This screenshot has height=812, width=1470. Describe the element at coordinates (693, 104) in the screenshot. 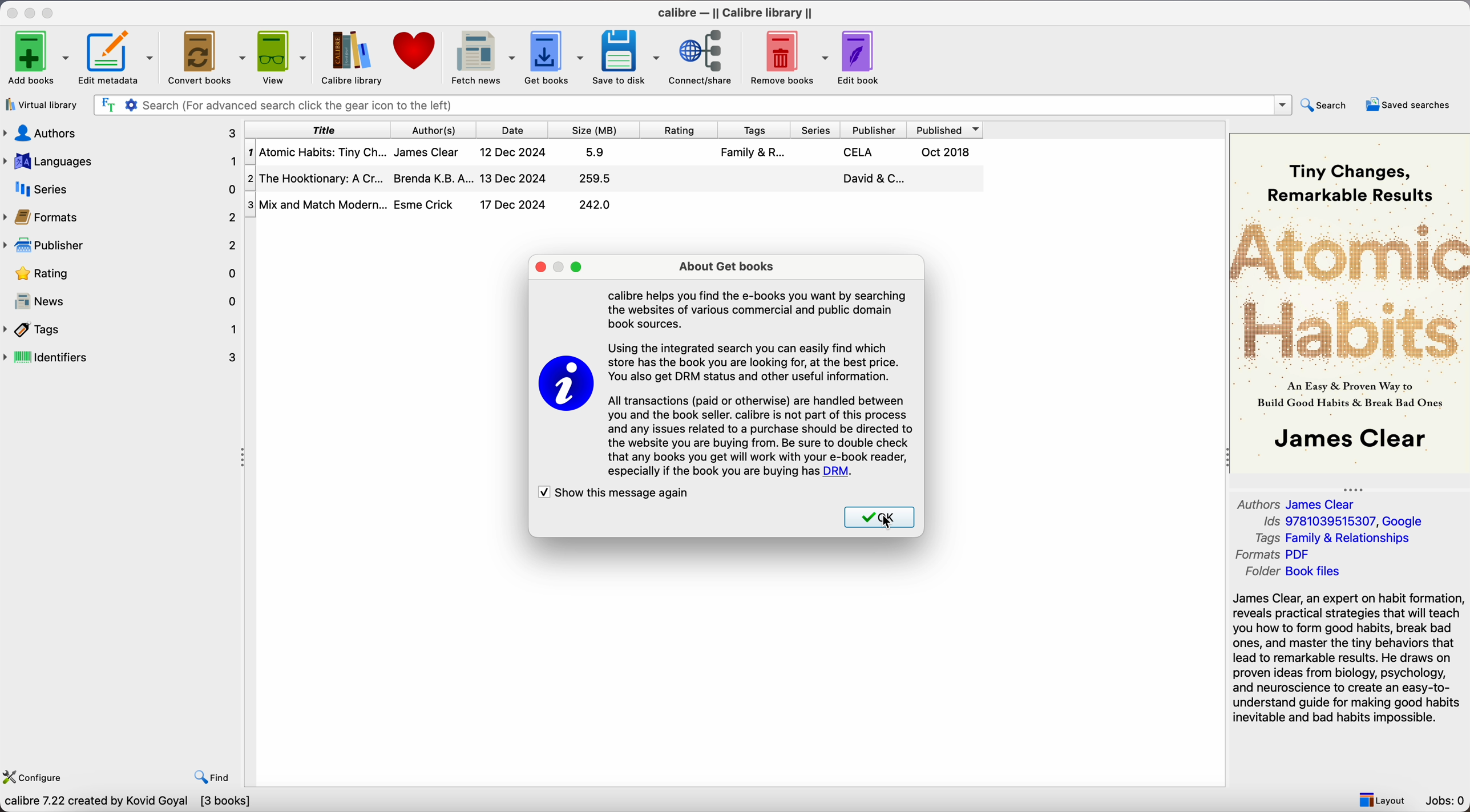

I see `search bar` at that location.